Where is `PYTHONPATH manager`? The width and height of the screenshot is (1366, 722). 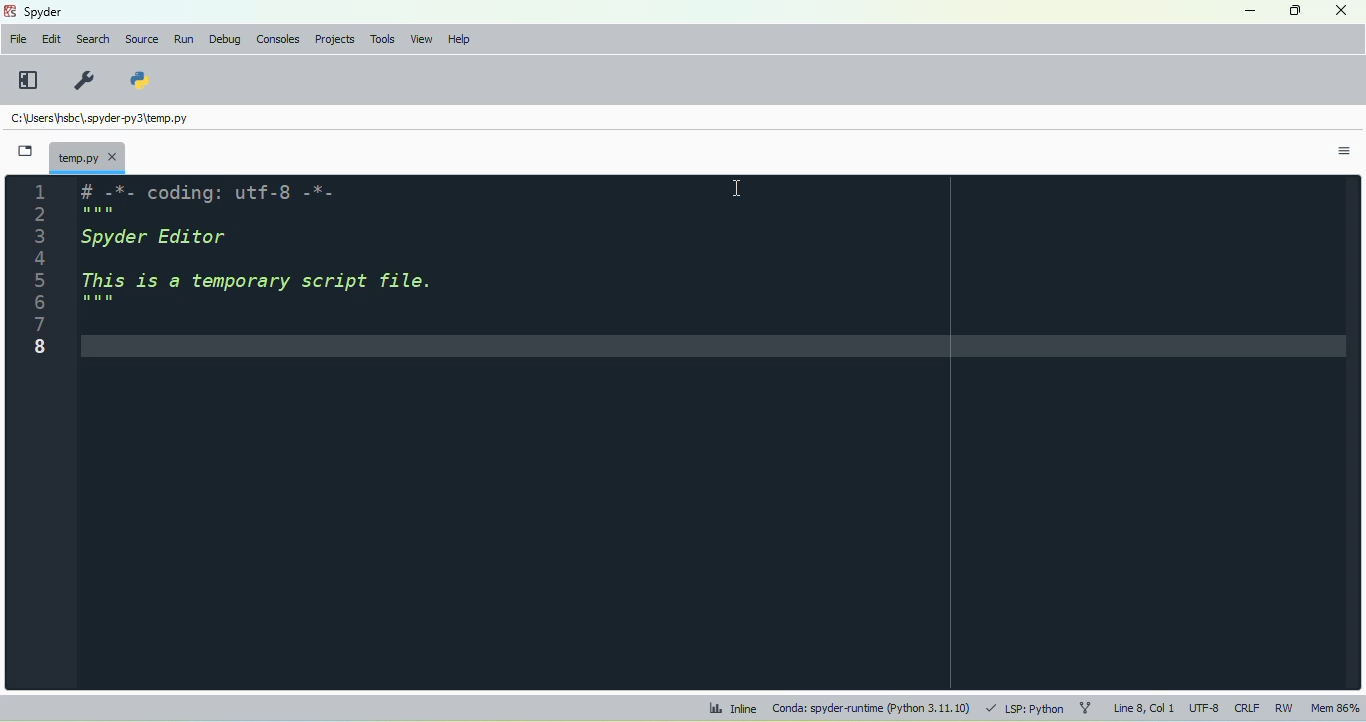
PYTHONPATH manager is located at coordinates (143, 75).